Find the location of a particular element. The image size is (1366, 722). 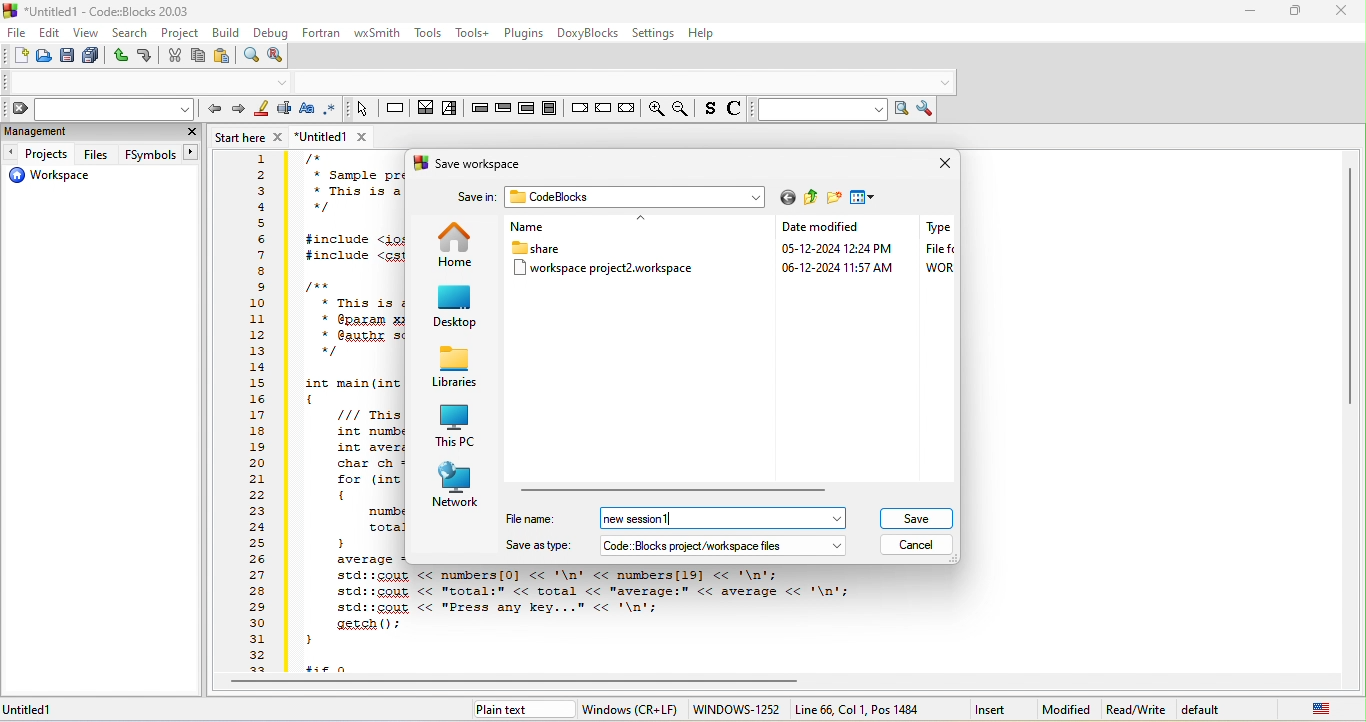

workspace is located at coordinates (59, 176).